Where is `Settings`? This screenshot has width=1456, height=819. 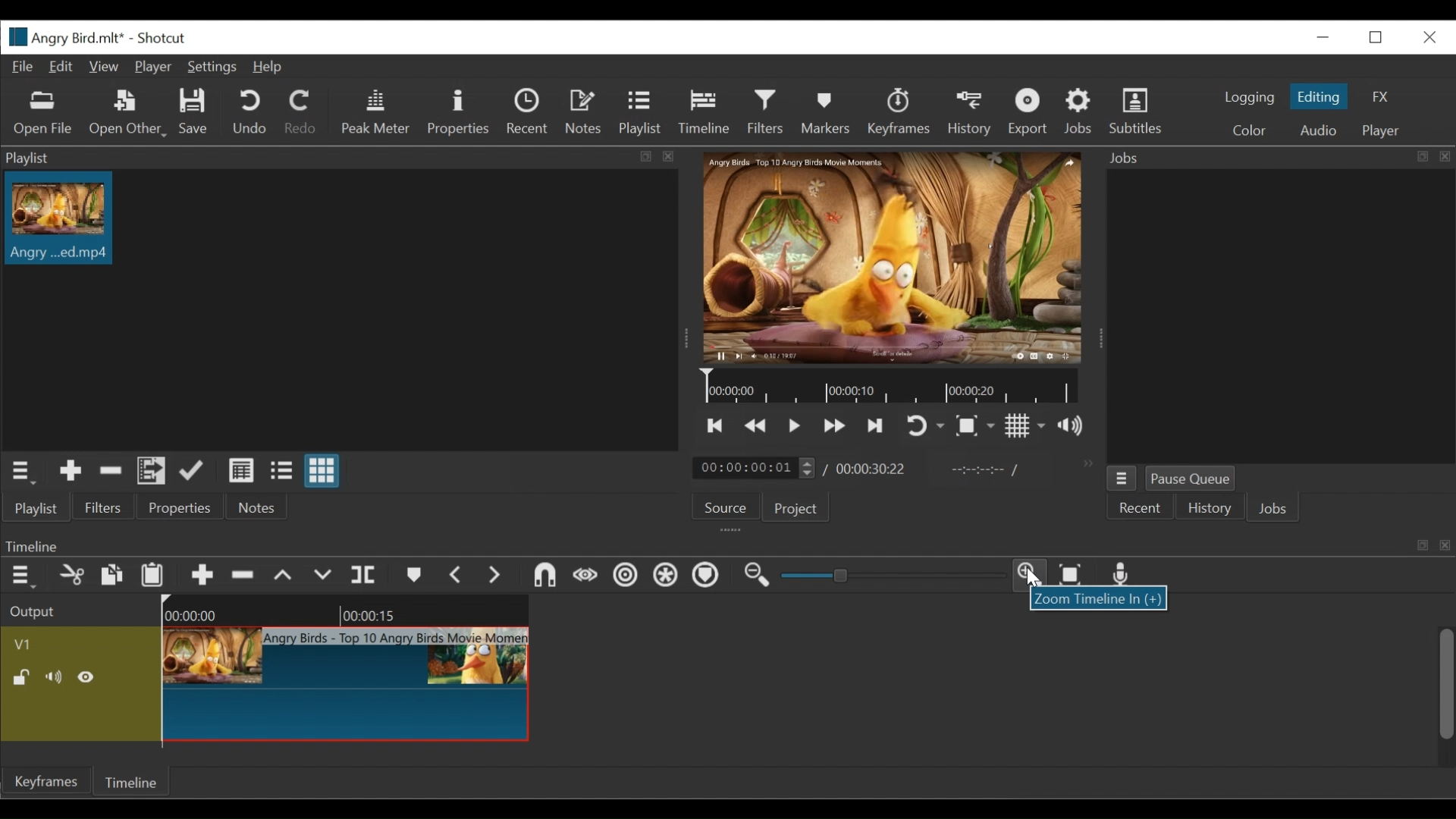 Settings is located at coordinates (212, 67).